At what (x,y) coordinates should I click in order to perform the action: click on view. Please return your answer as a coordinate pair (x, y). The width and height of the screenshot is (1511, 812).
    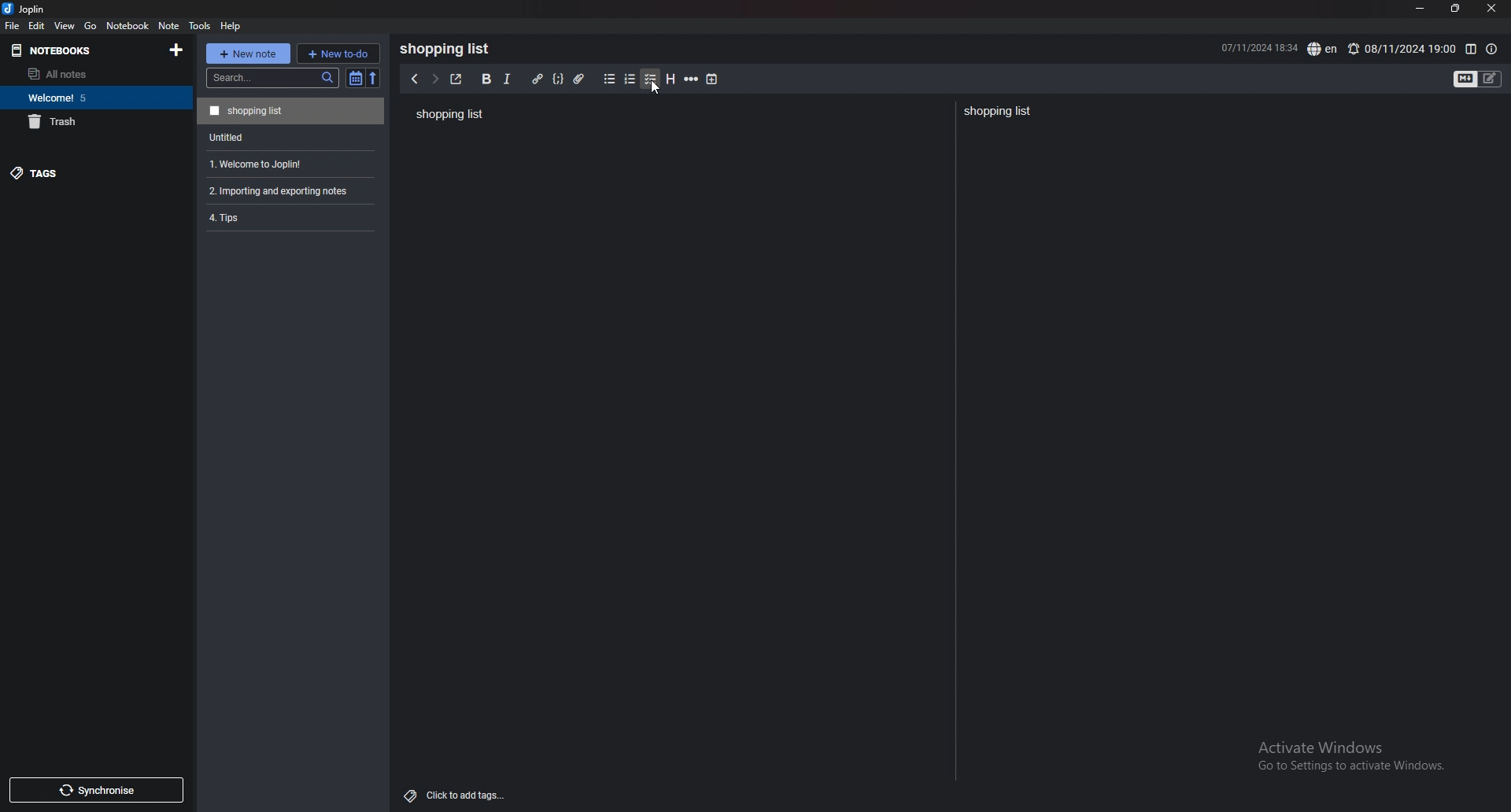
    Looking at the image, I should click on (66, 25).